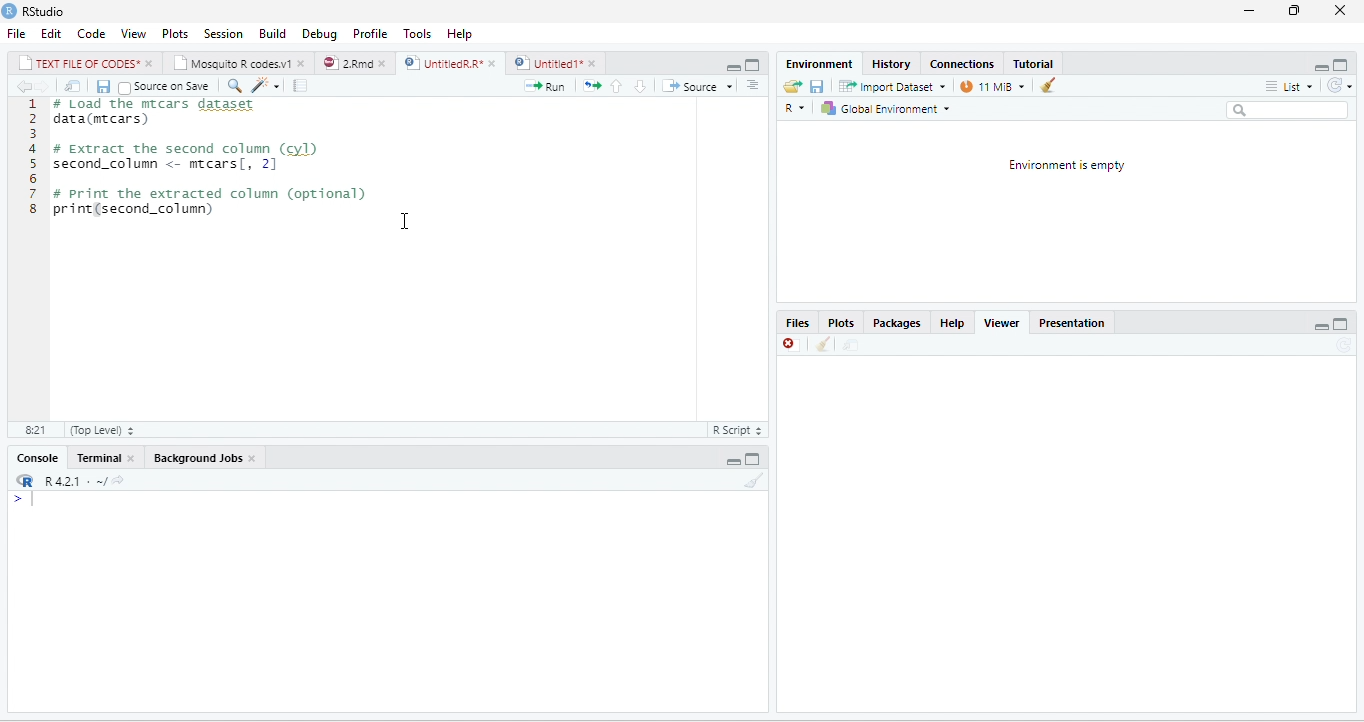 The width and height of the screenshot is (1364, 722). Describe the element at coordinates (97, 459) in the screenshot. I see `Terminal` at that location.